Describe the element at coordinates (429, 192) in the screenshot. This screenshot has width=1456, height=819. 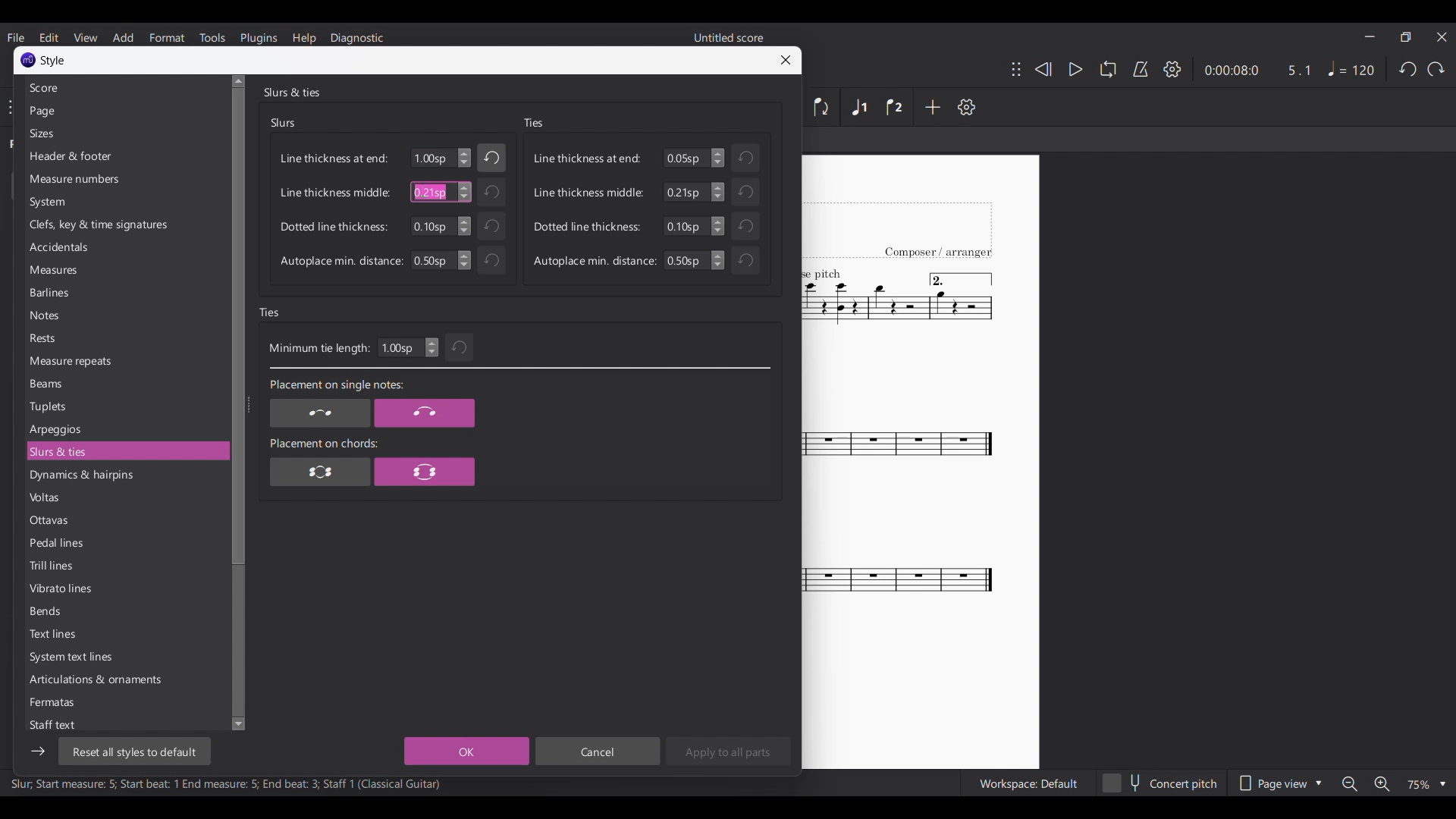
I see `Typing in text` at that location.